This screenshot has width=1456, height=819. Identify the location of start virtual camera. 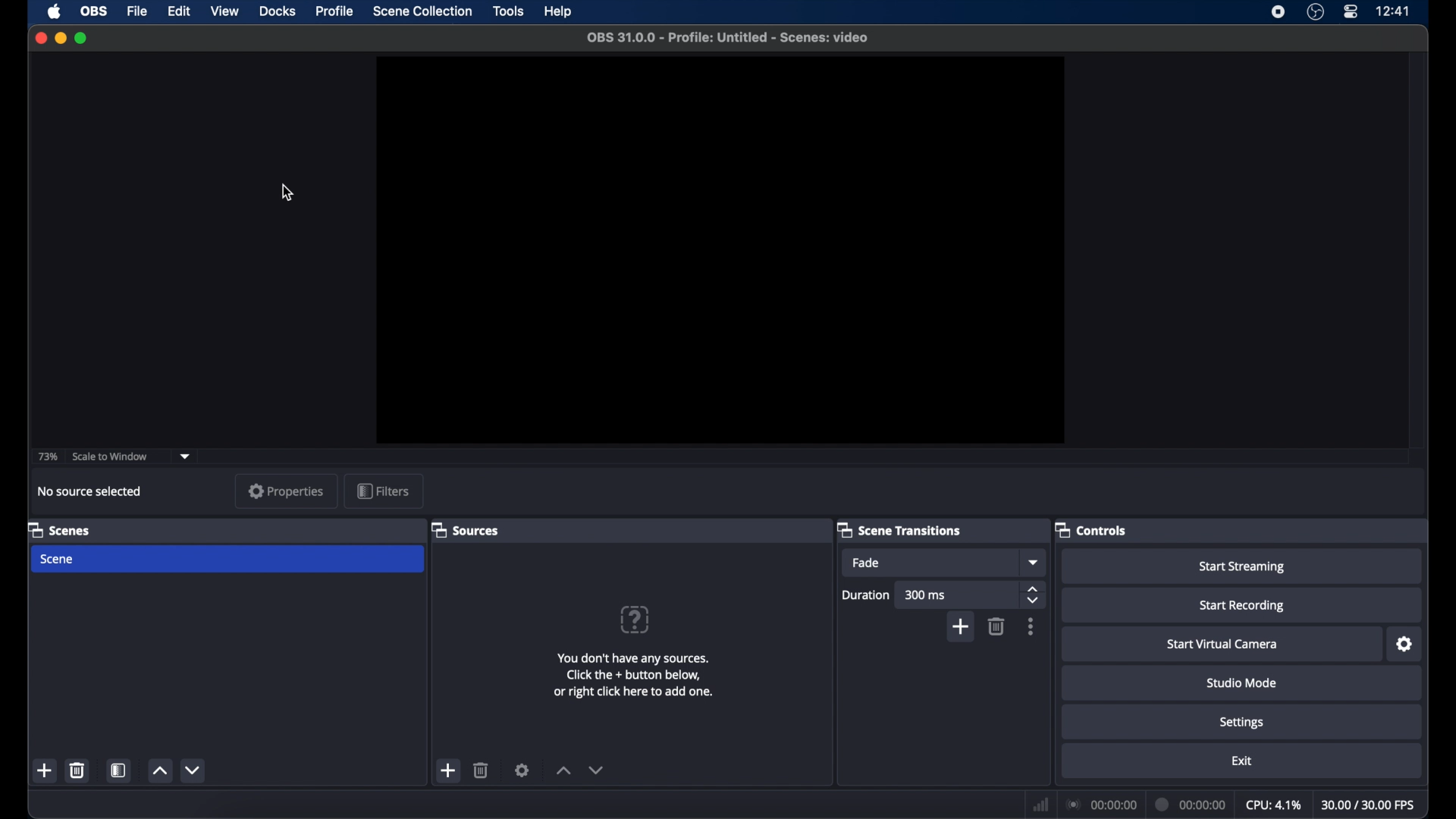
(1242, 645).